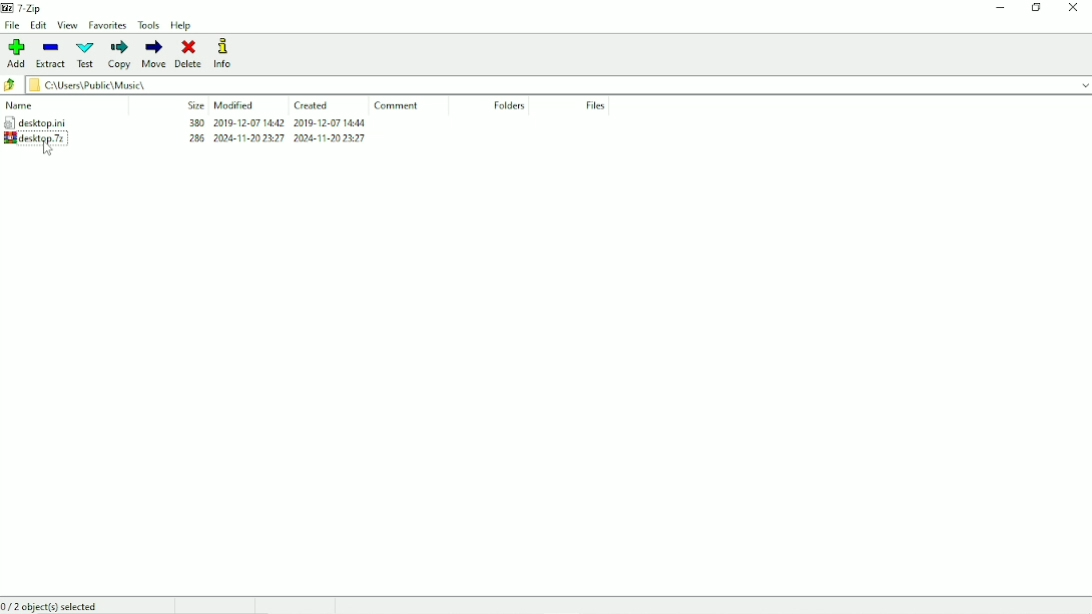  Describe the element at coordinates (17, 53) in the screenshot. I see `Add` at that location.